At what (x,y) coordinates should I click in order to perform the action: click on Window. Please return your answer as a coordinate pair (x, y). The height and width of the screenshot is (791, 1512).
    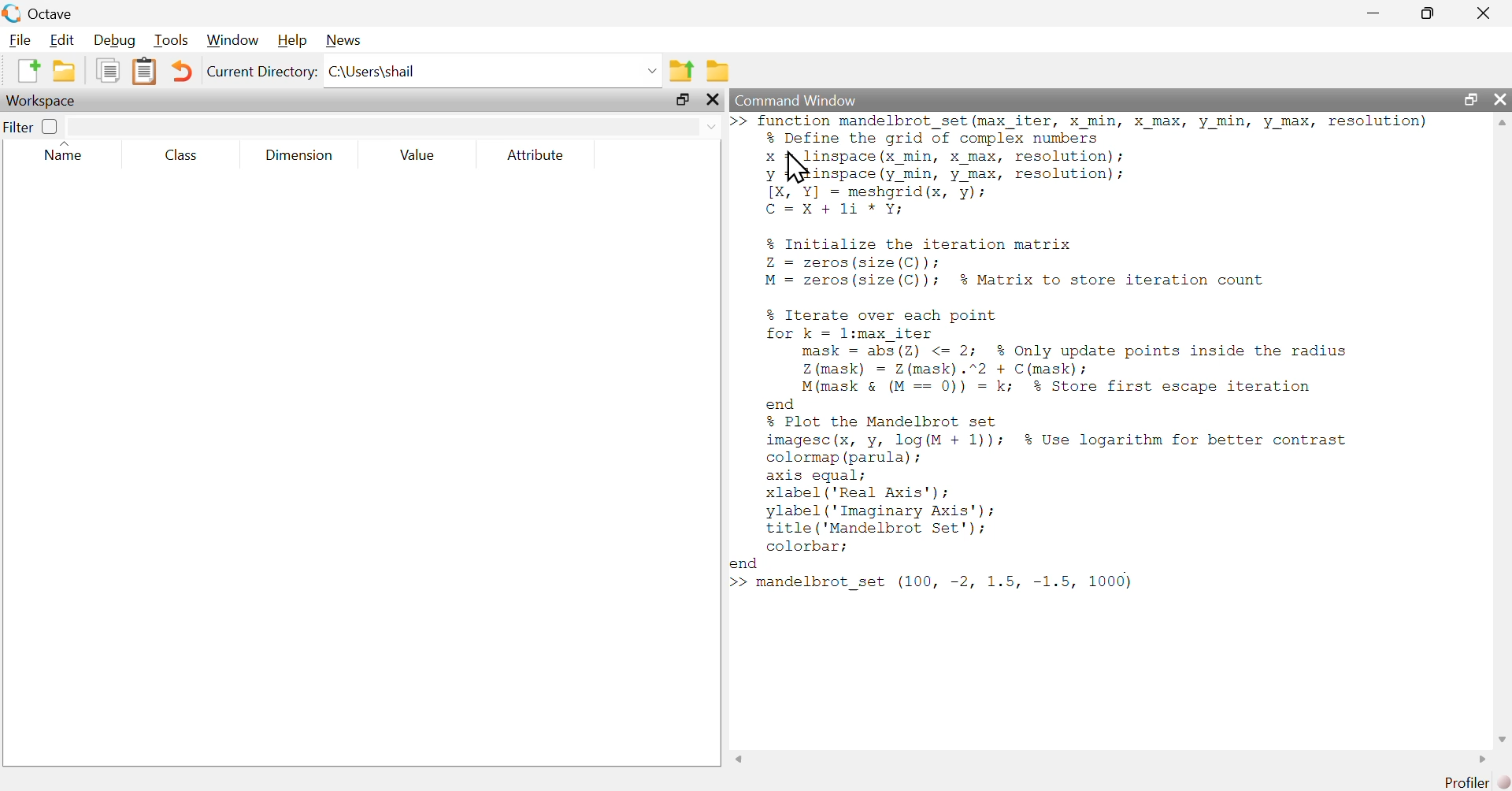
    Looking at the image, I should click on (231, 41).